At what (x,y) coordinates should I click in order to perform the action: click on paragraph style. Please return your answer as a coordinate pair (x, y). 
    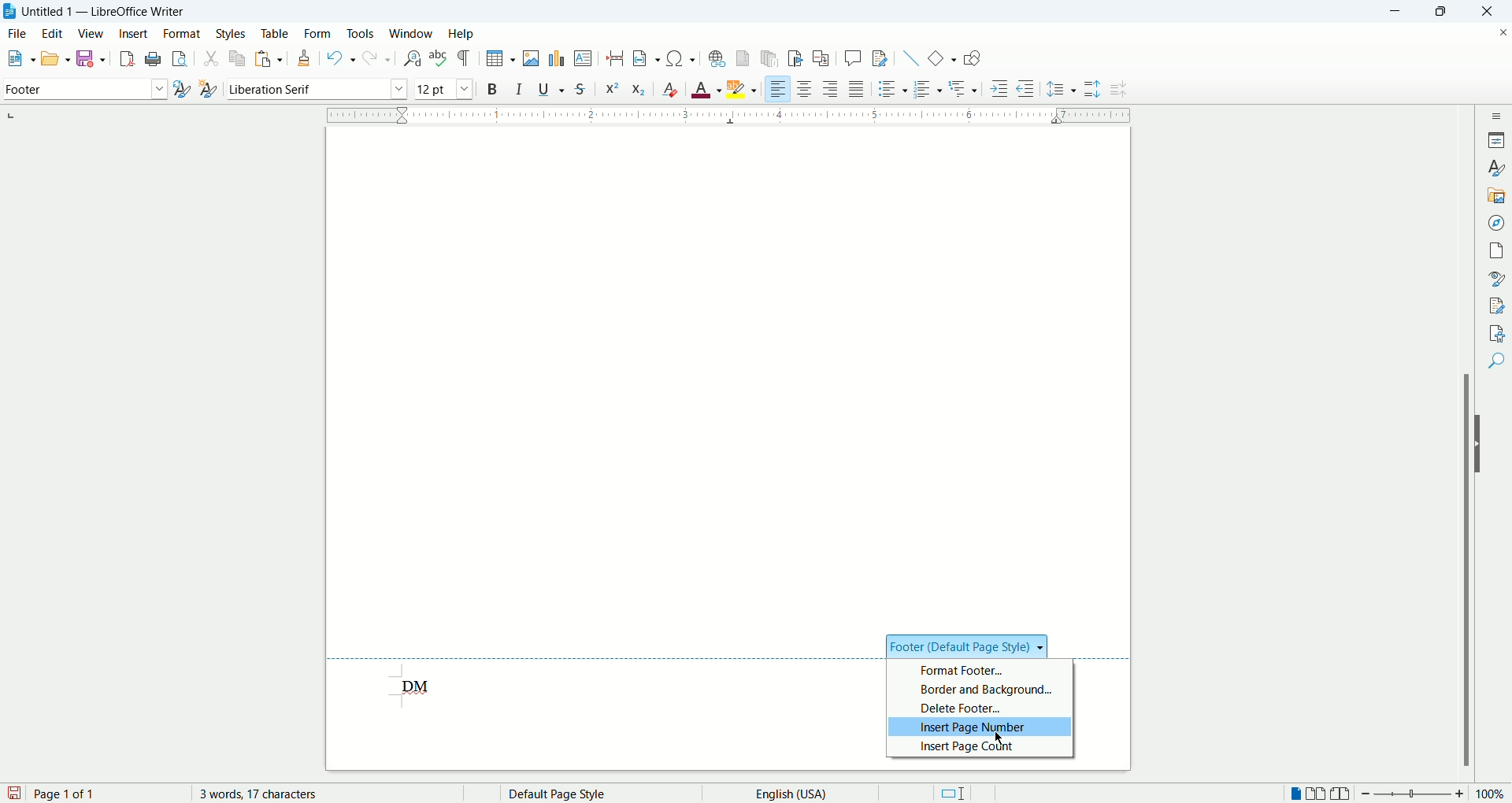
    Looking at the image, I should click on (82, 89).